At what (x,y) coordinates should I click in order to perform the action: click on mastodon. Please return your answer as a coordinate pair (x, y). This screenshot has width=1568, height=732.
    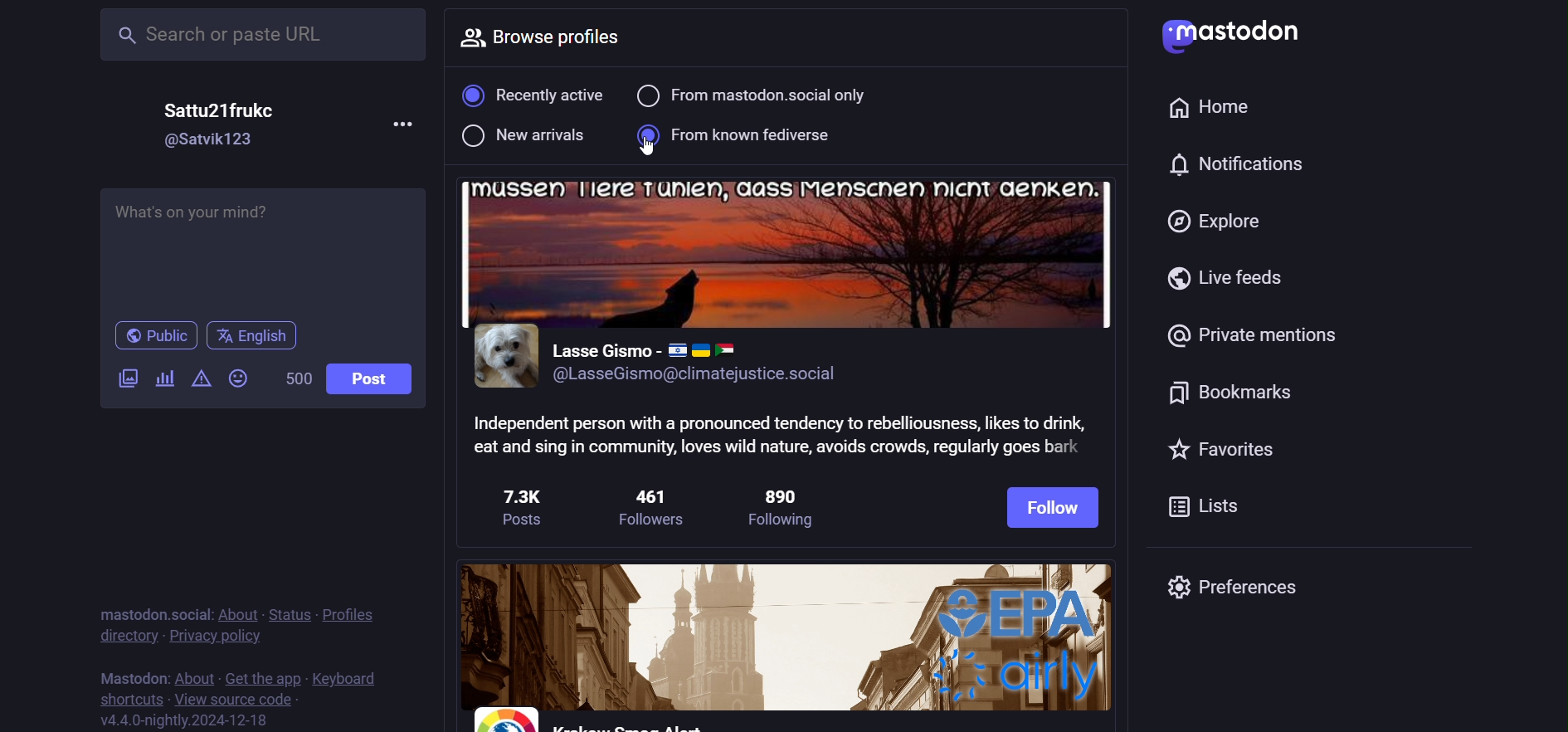
    Looking at the image, I should click on (132, 676).